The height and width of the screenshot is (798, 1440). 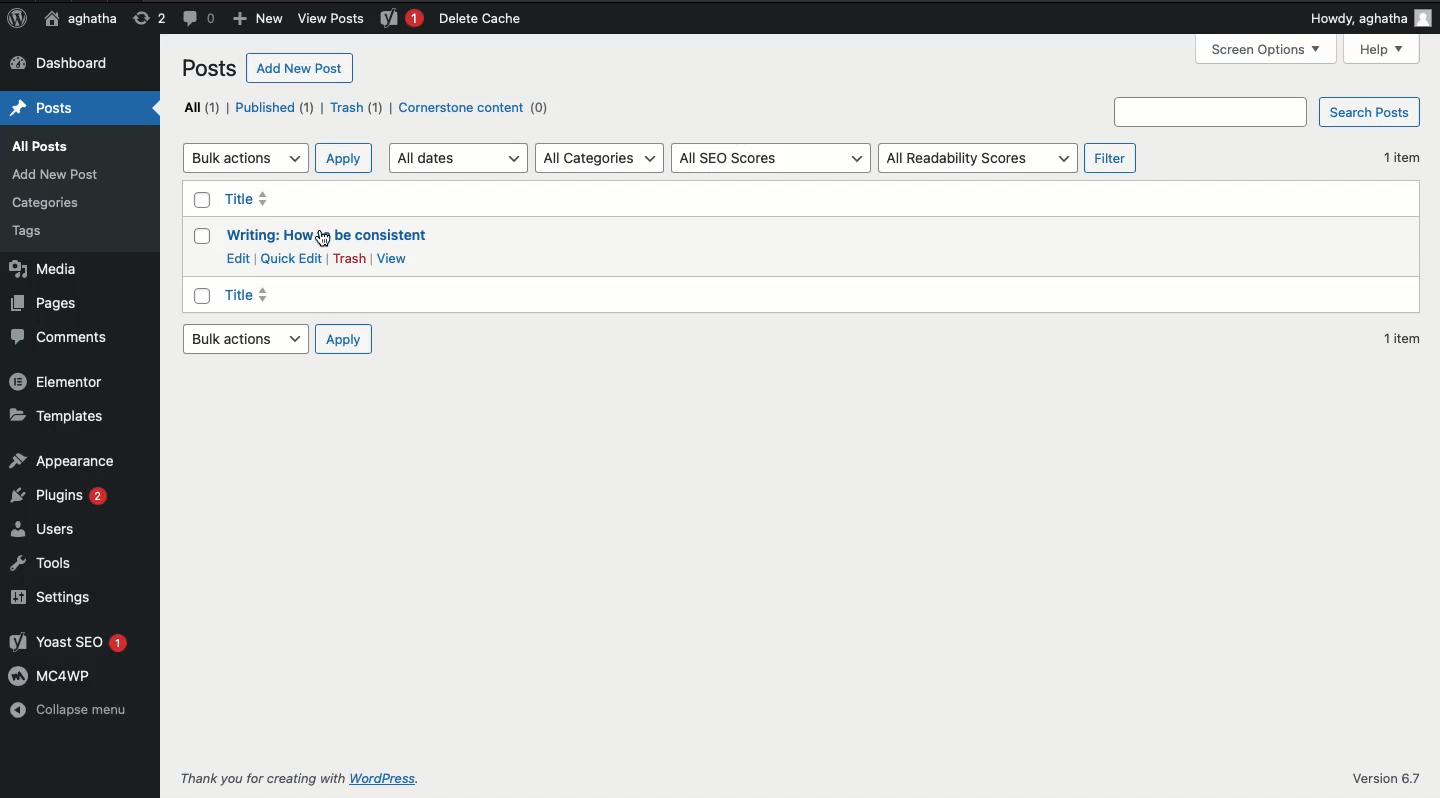 I want to click on Trash, so click(x=349, y=257).